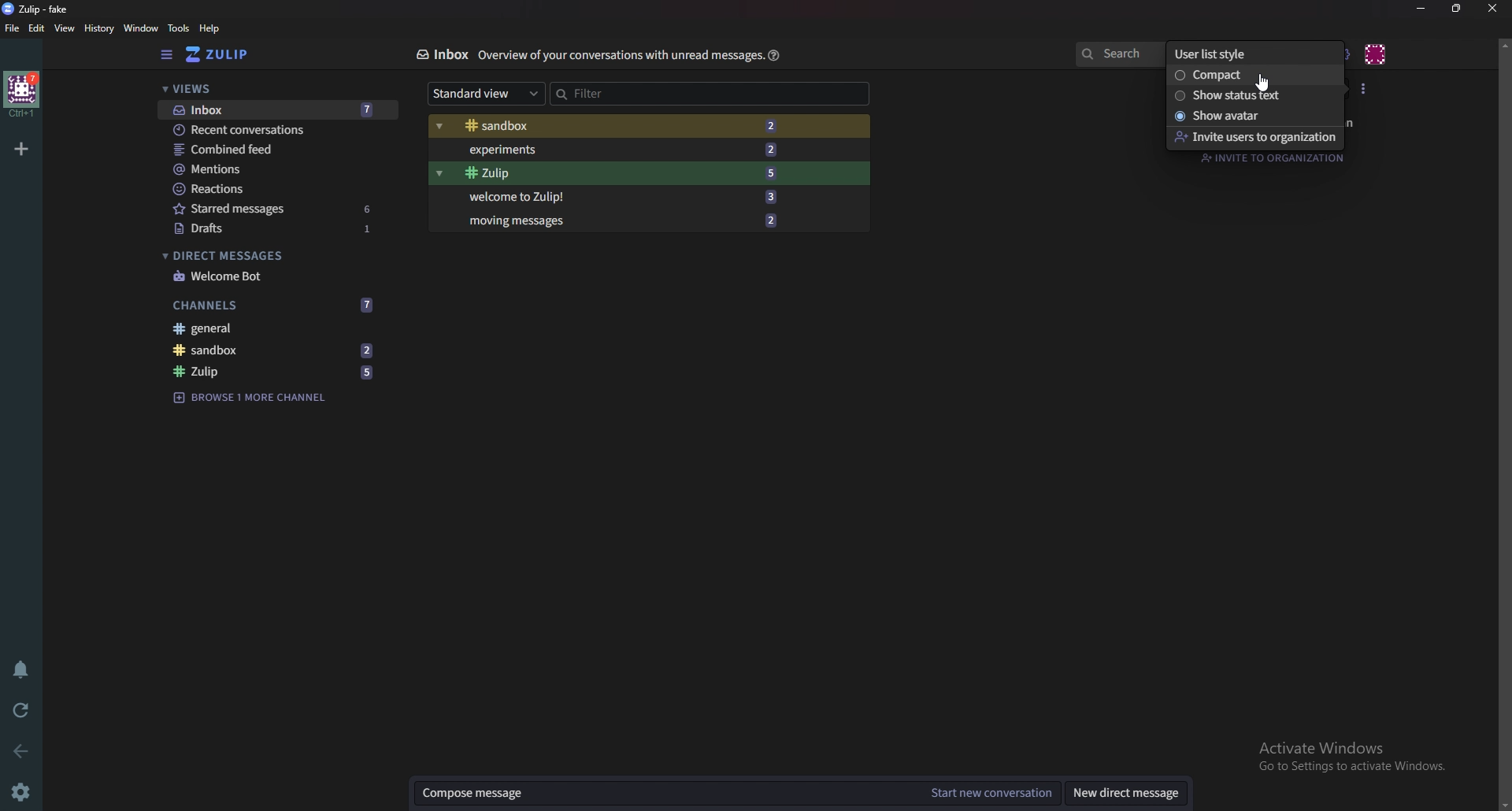 The width and height of the screenshot is (1512, 811). What do you see at coordinates (1131, 793) in the screenshot?
I see `New direct message` at bounding box center [1131, 793].